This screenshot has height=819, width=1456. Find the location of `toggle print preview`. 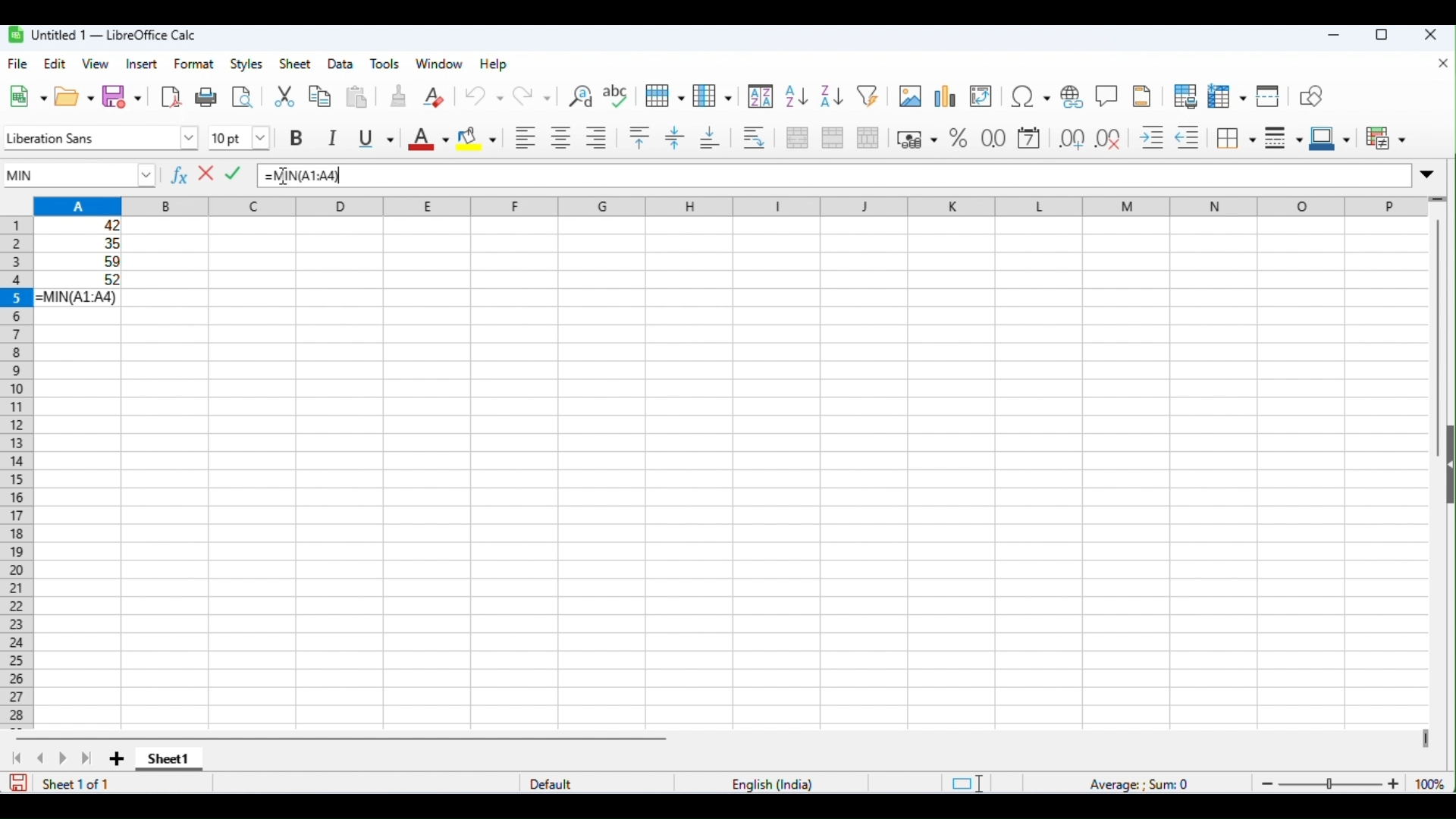

toggle print preview is located at coordinates (242, 99).